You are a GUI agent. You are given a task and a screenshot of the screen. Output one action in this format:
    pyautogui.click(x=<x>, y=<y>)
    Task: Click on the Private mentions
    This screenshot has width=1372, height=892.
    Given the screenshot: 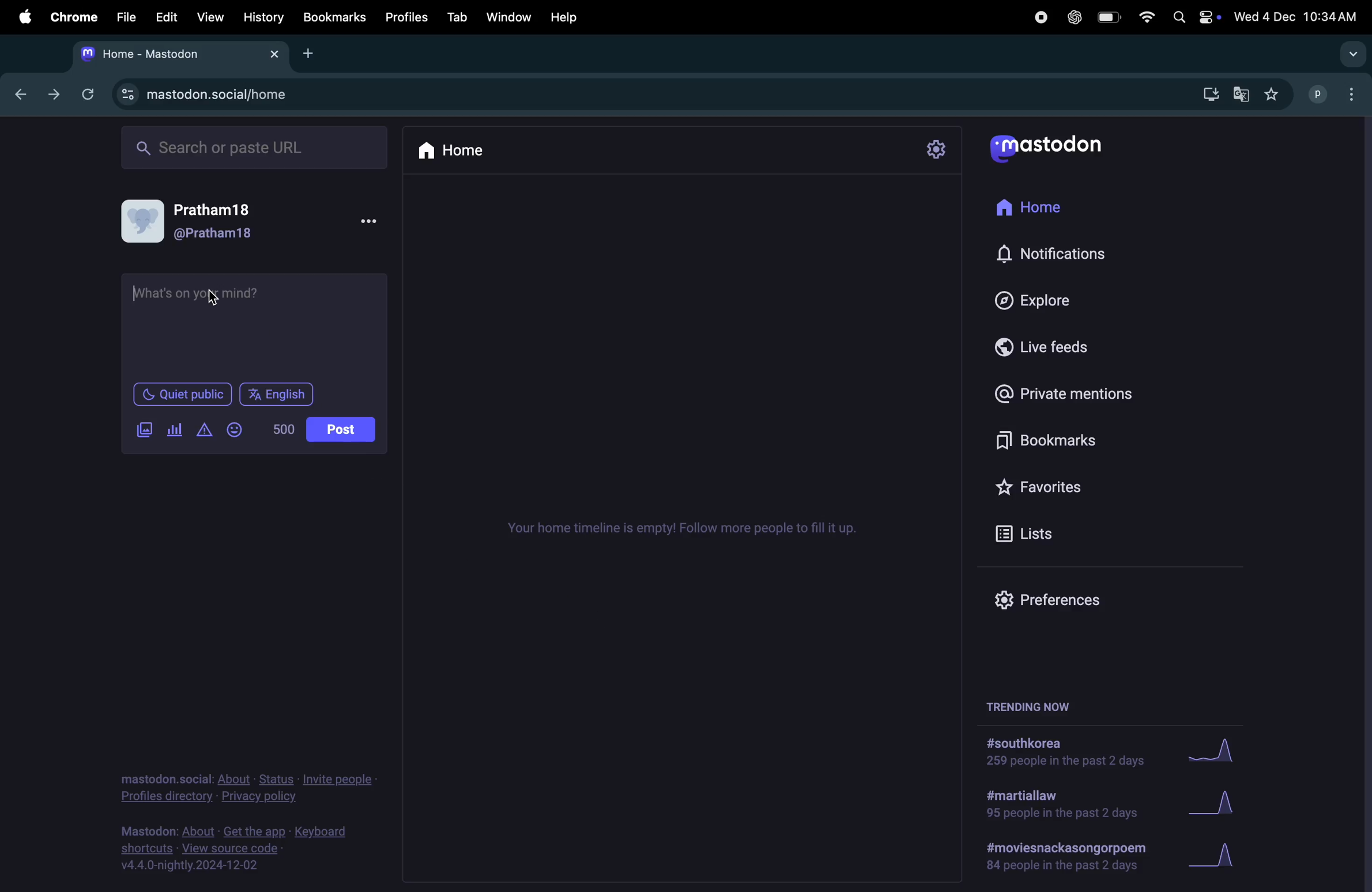 What is the action you would take?
    pyautogui.click(x=1080, y=394)
    